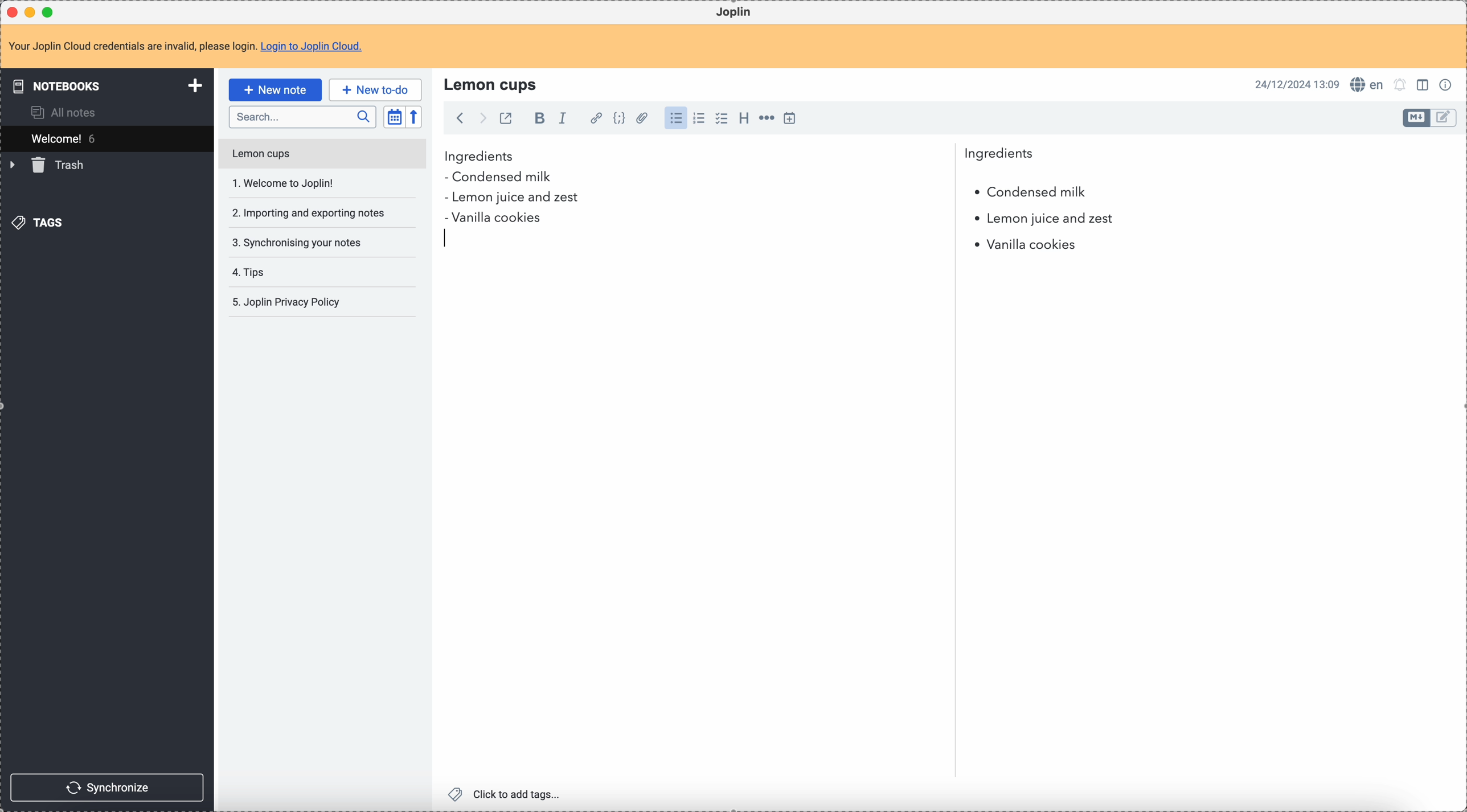 The width and height of the screenshot is (1467, 812). I want to click on condensed milk, so click(1029, 192).